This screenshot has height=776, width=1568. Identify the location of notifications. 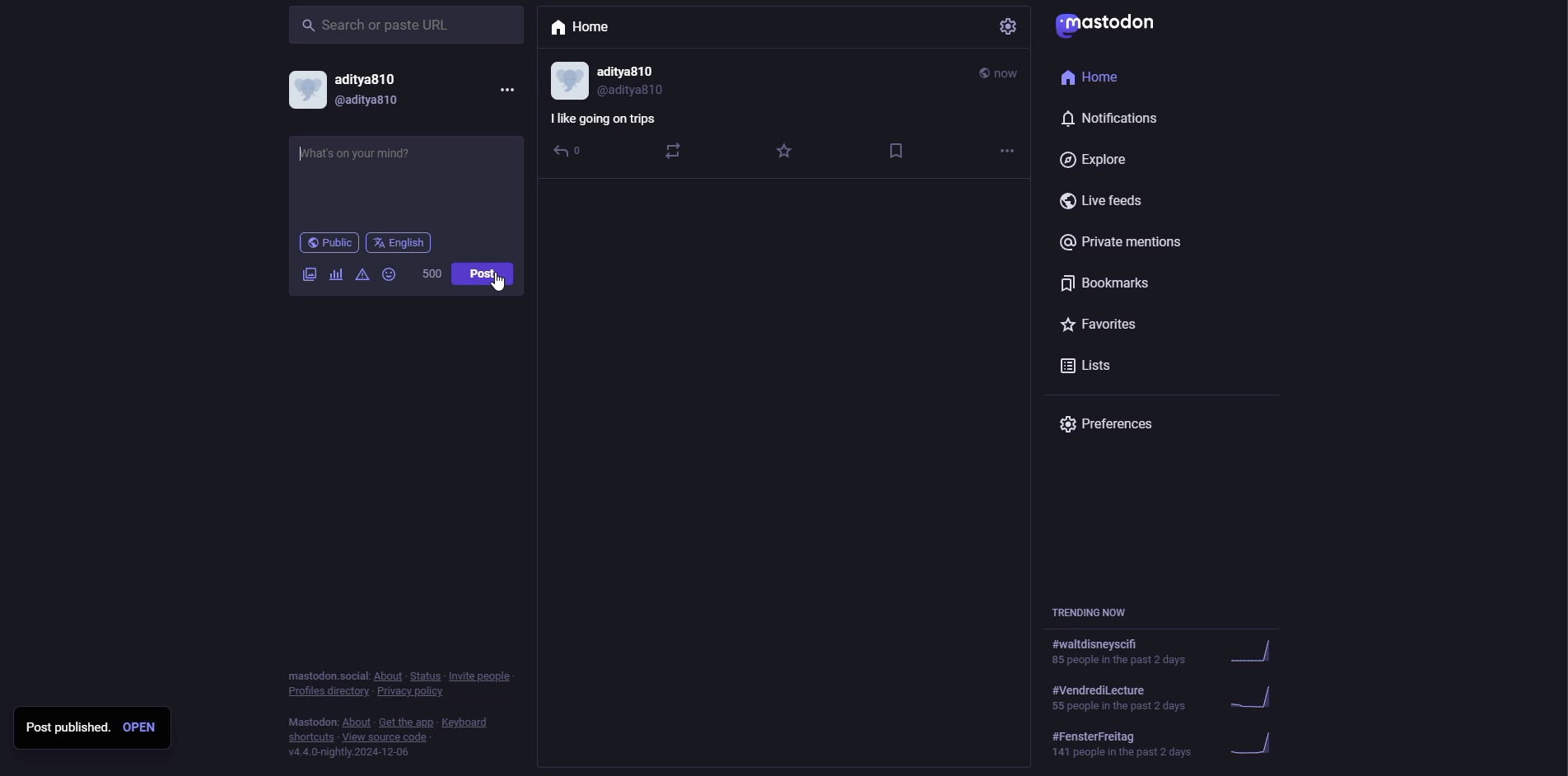
(1119, 119).